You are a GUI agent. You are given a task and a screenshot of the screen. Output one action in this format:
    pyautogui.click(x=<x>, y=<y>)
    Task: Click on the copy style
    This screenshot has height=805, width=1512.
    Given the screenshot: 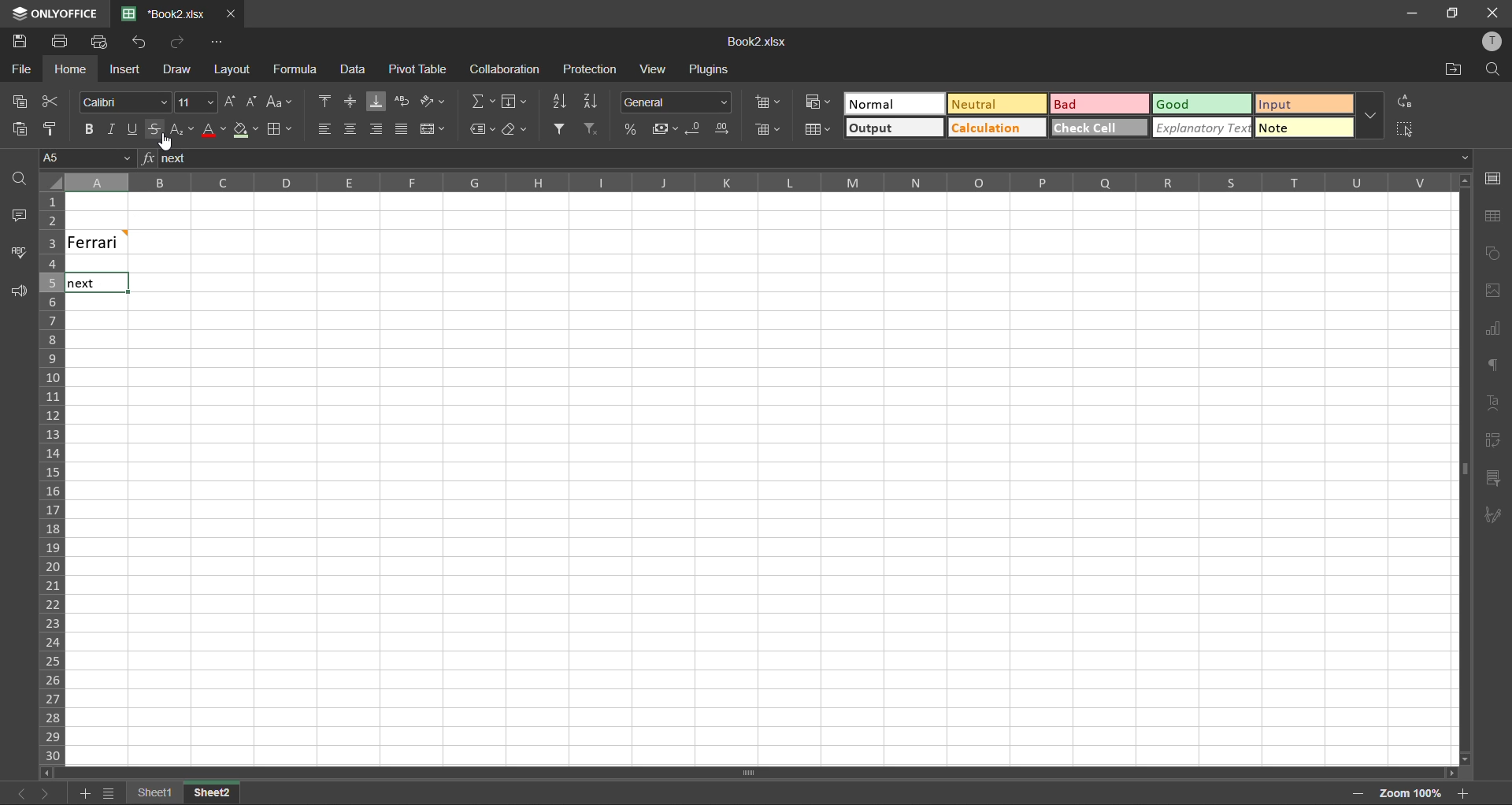 What is the action you would take?
    pyautogui.click(x=56, y=128)
    